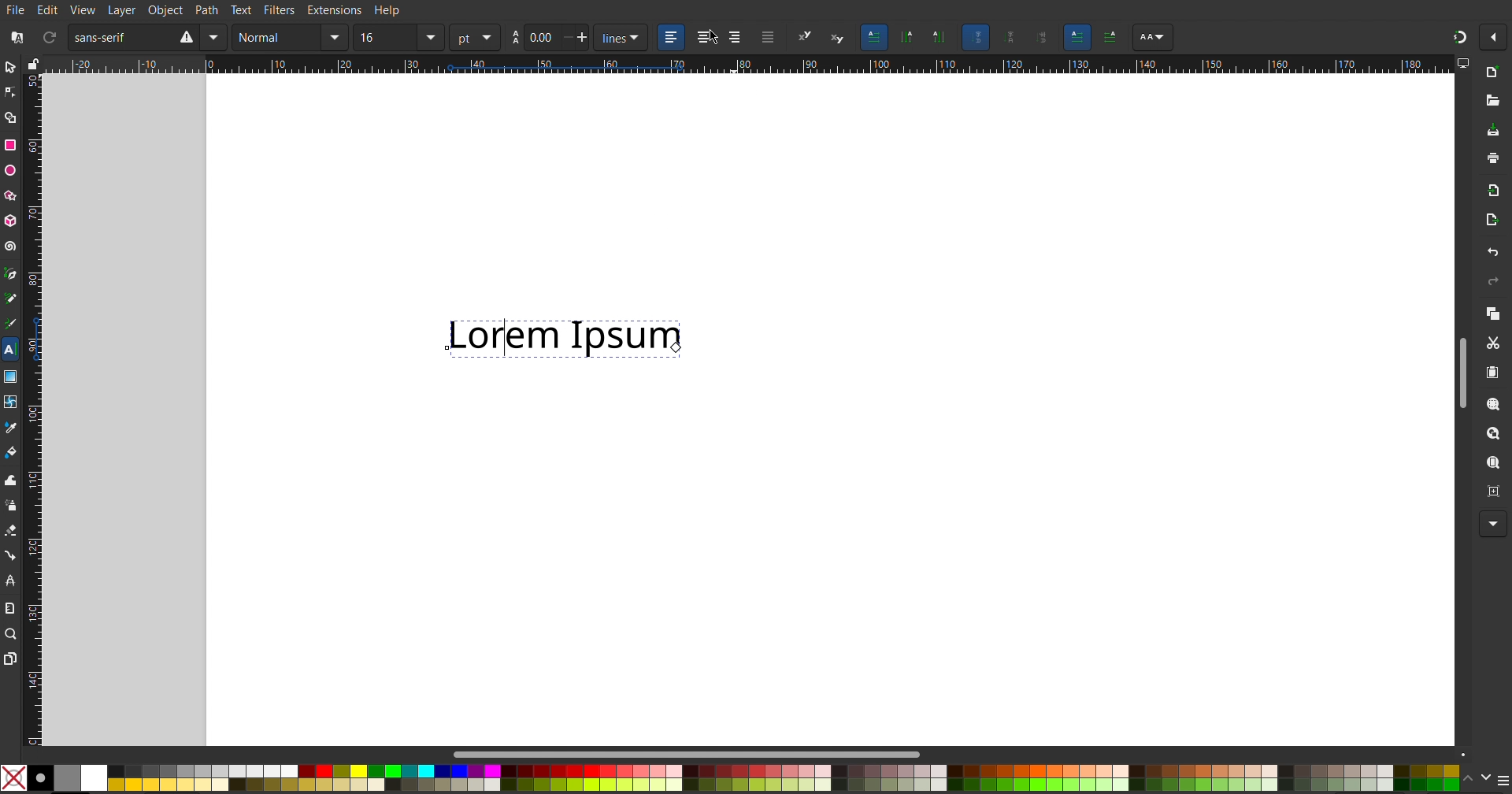 This screenshot has height=794, width=1512. What do you see at coordinates (46, 36) in the screenshot?
I see `Refresh` at bounding box center [46, 36].